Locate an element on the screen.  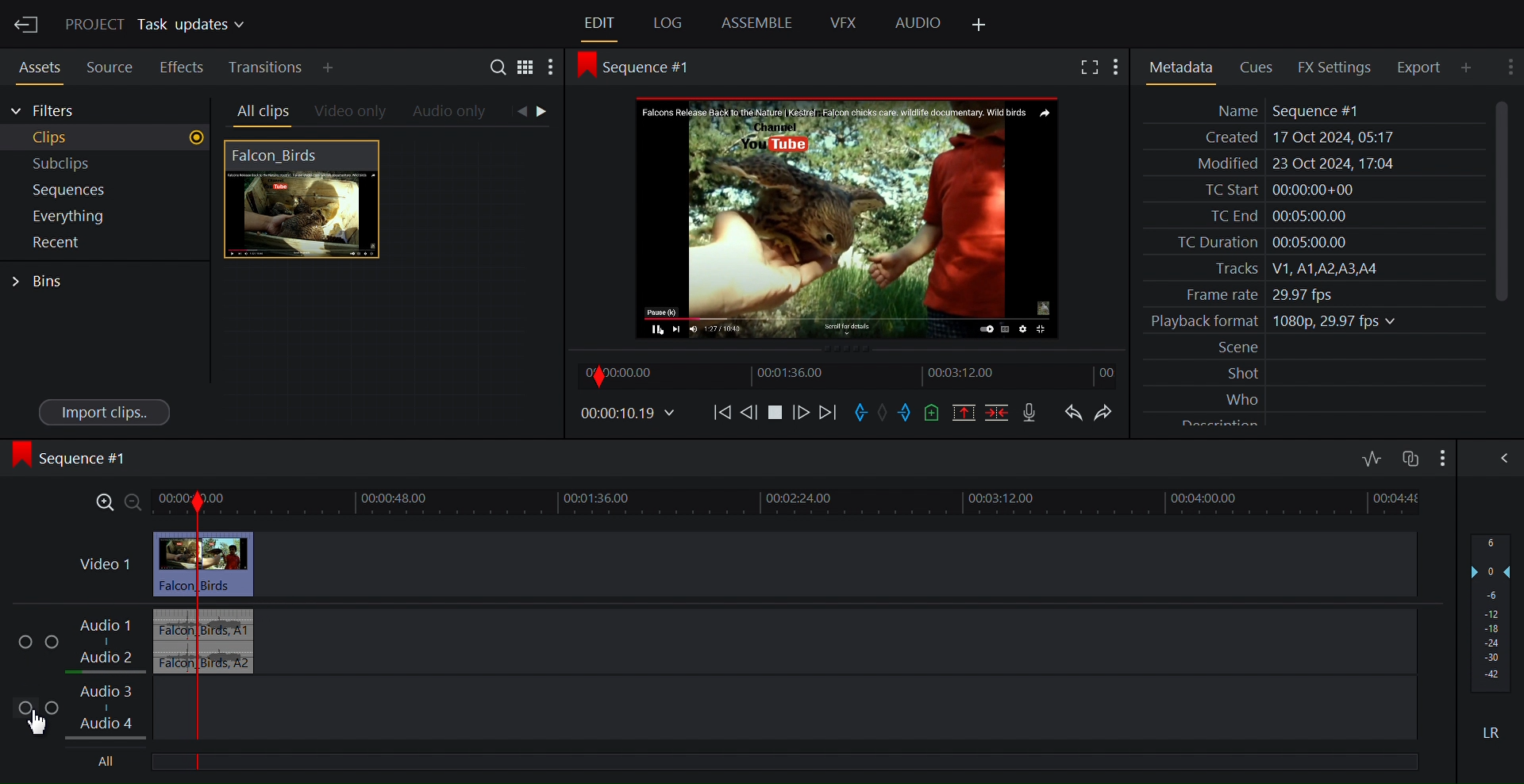
Show settings menu is located at coordinates (1508, 66).